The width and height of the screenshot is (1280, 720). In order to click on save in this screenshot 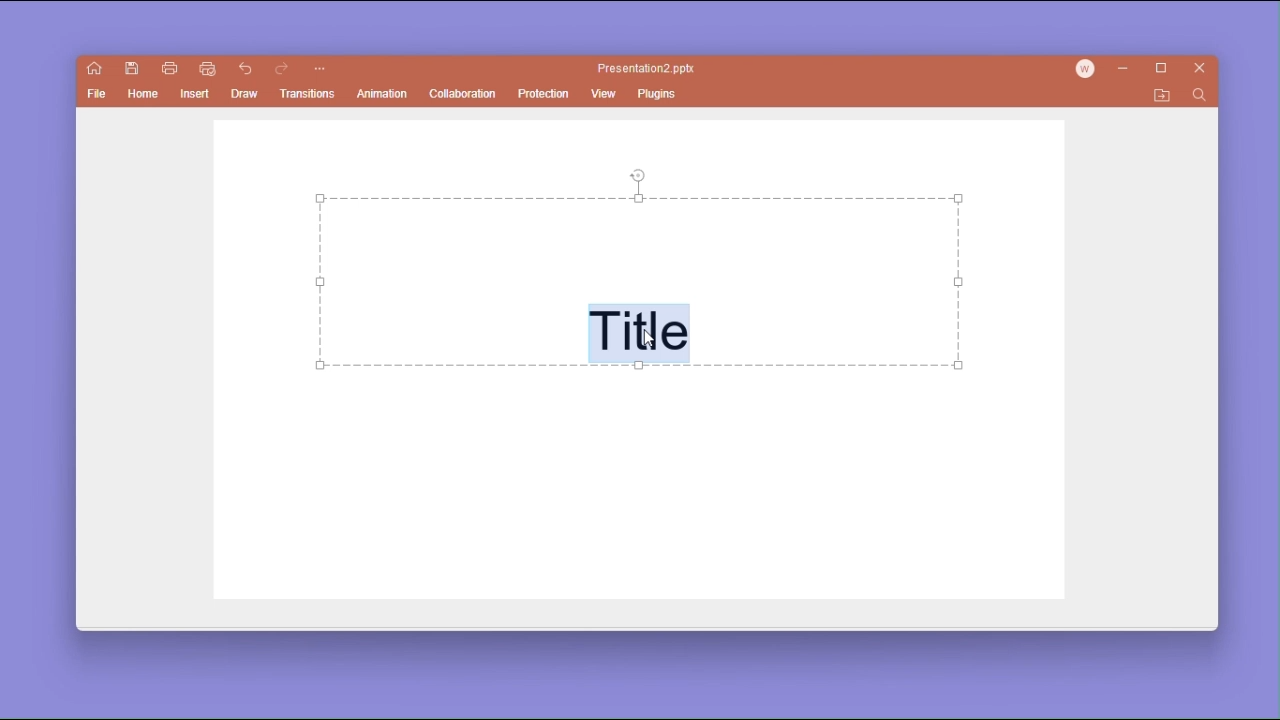, I will do `click(133, 69)`.